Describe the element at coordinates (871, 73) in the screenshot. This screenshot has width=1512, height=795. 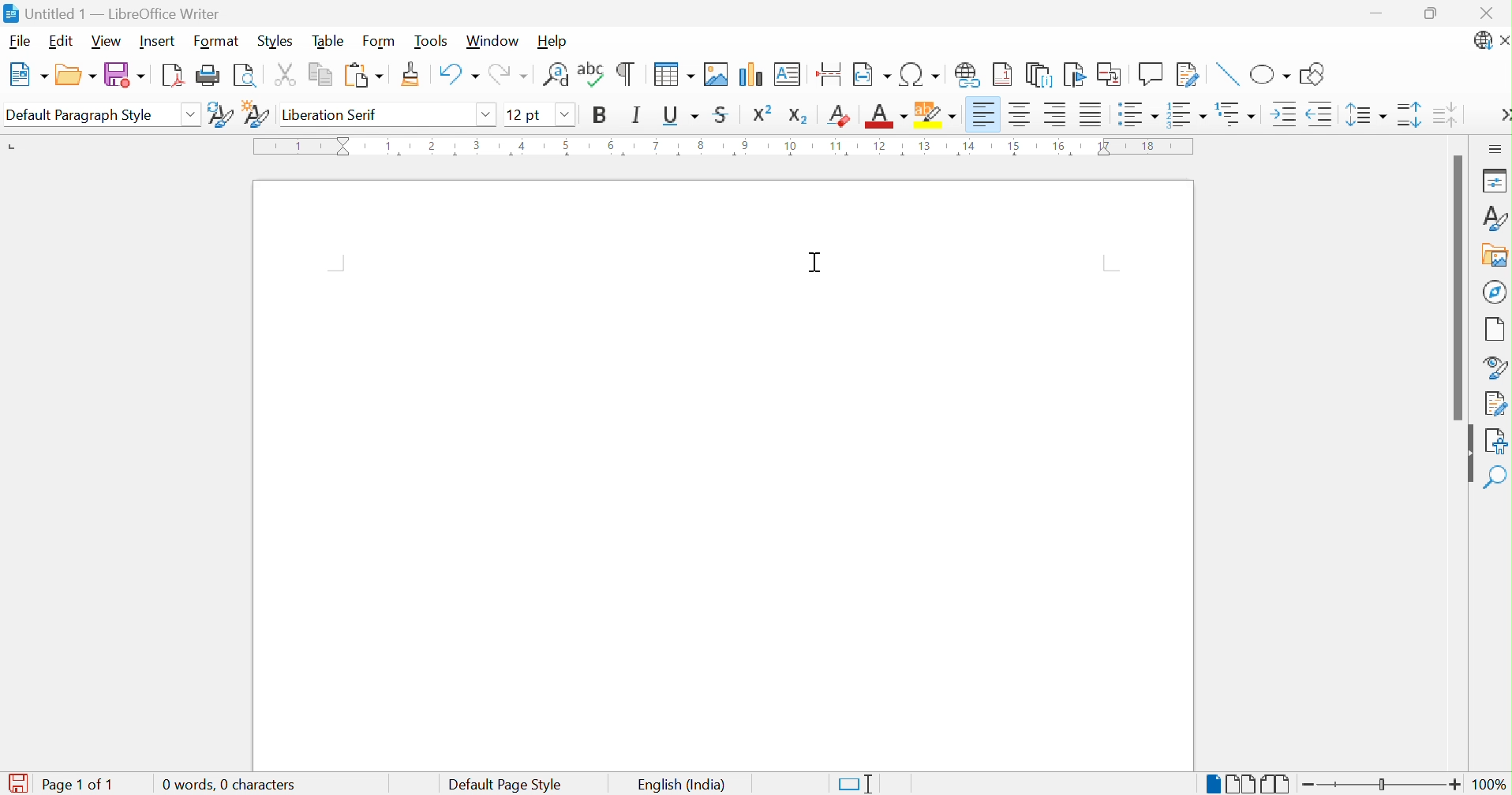
I see `Insert field` at that location.